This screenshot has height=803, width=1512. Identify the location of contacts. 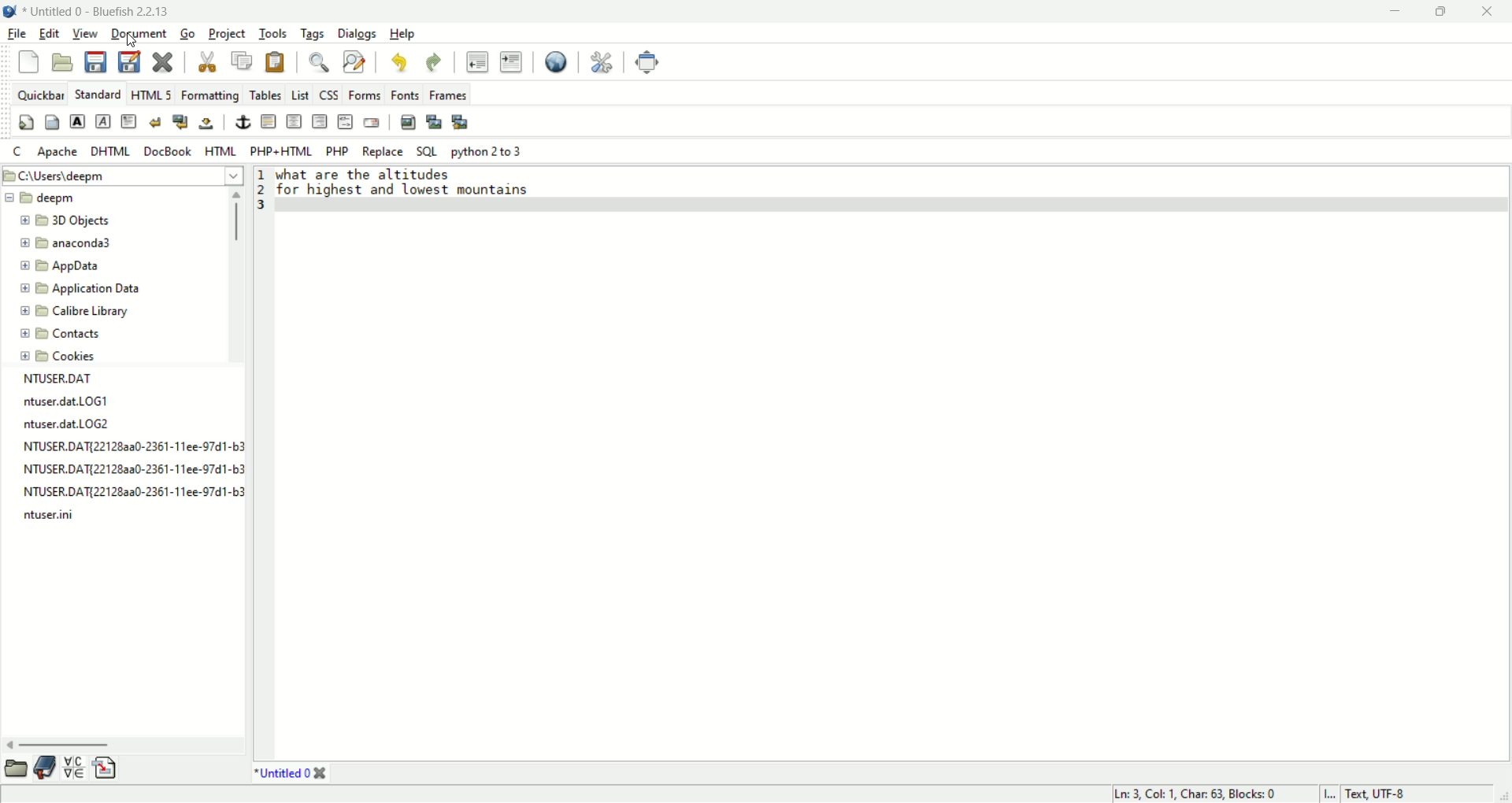
(58, 331).